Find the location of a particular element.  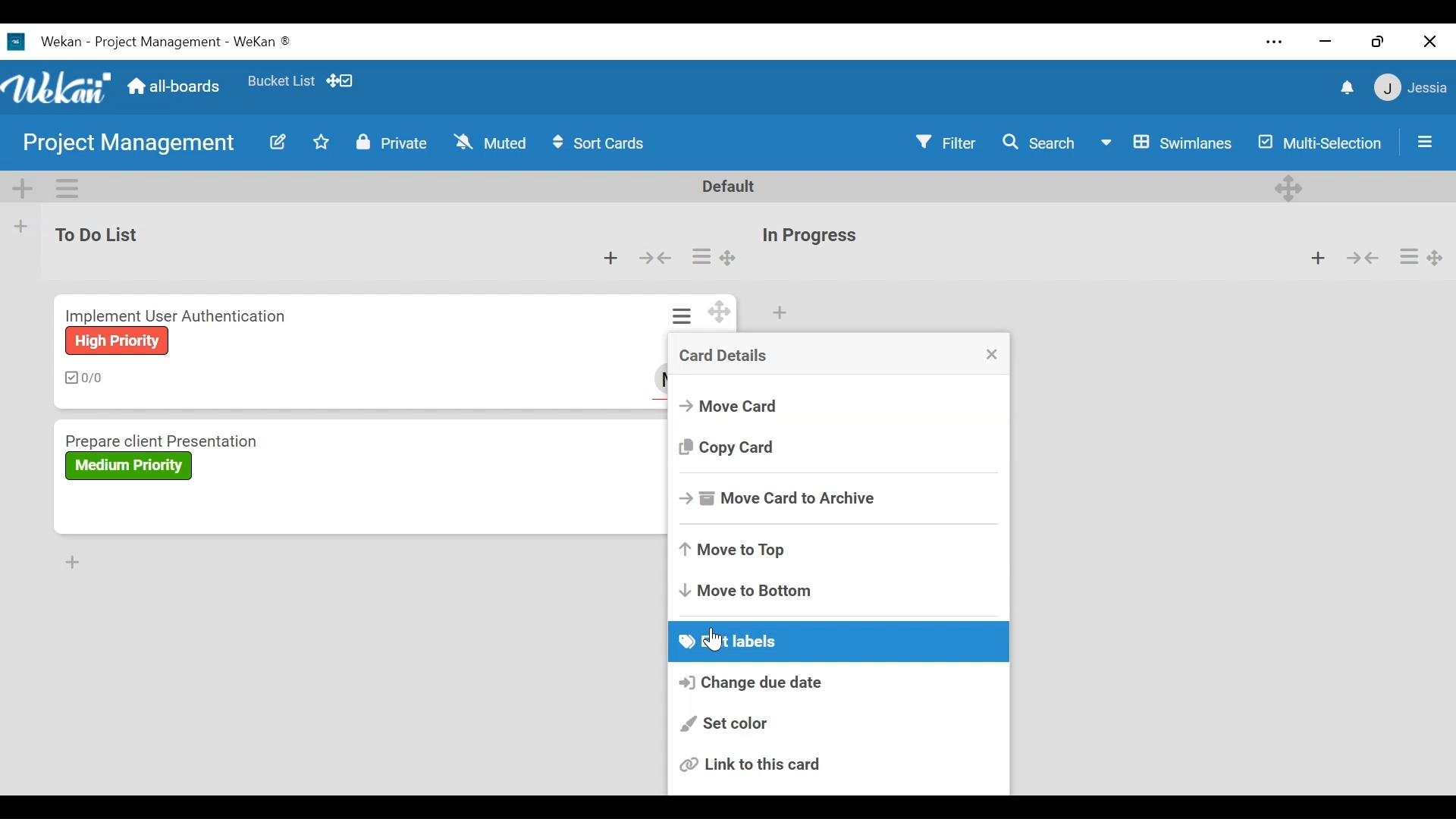

label is located at coordinates (128, 466).